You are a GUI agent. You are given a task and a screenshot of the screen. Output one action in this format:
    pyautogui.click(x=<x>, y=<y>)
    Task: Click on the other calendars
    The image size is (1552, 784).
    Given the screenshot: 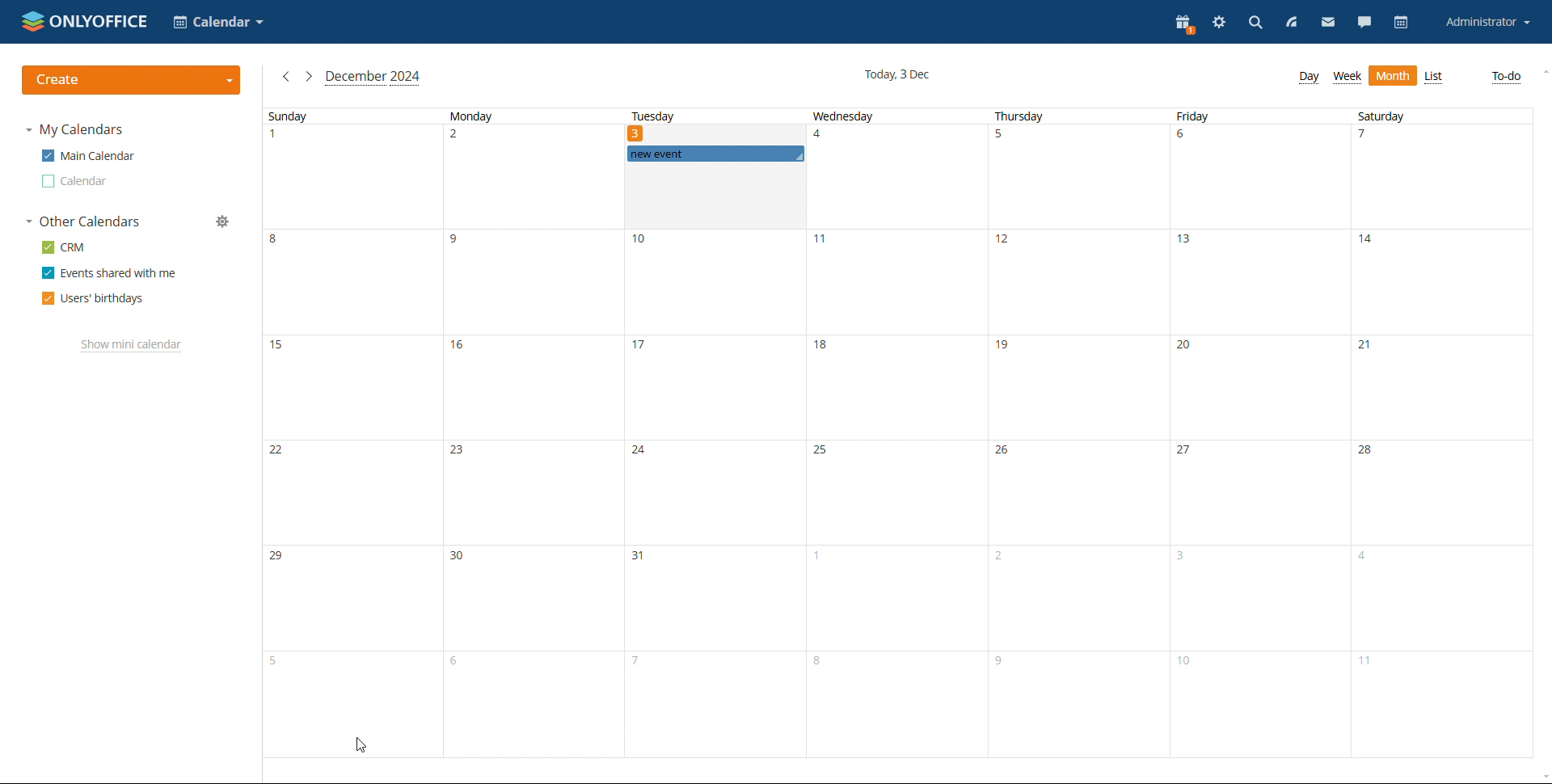 What is the action you would take?
    pyautogui.click(x=82, y=221)
    